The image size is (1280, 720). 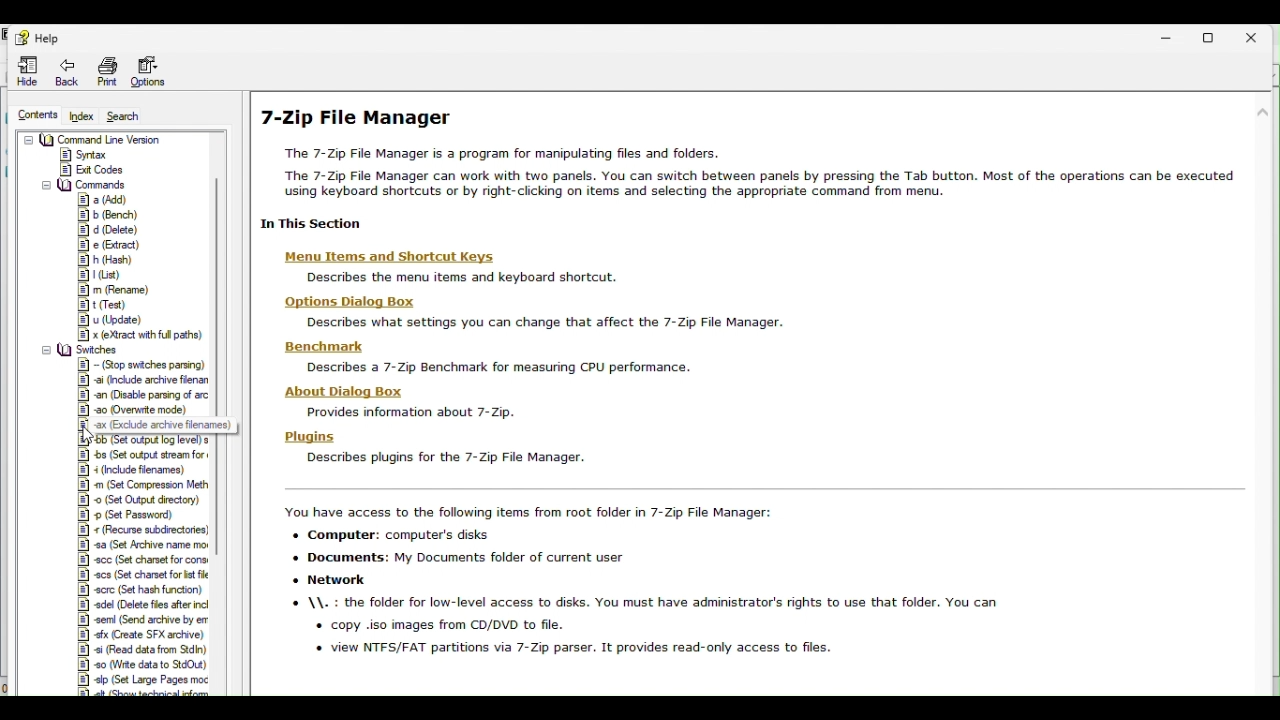 I want to click on Contents, so click(x=30, y=114).